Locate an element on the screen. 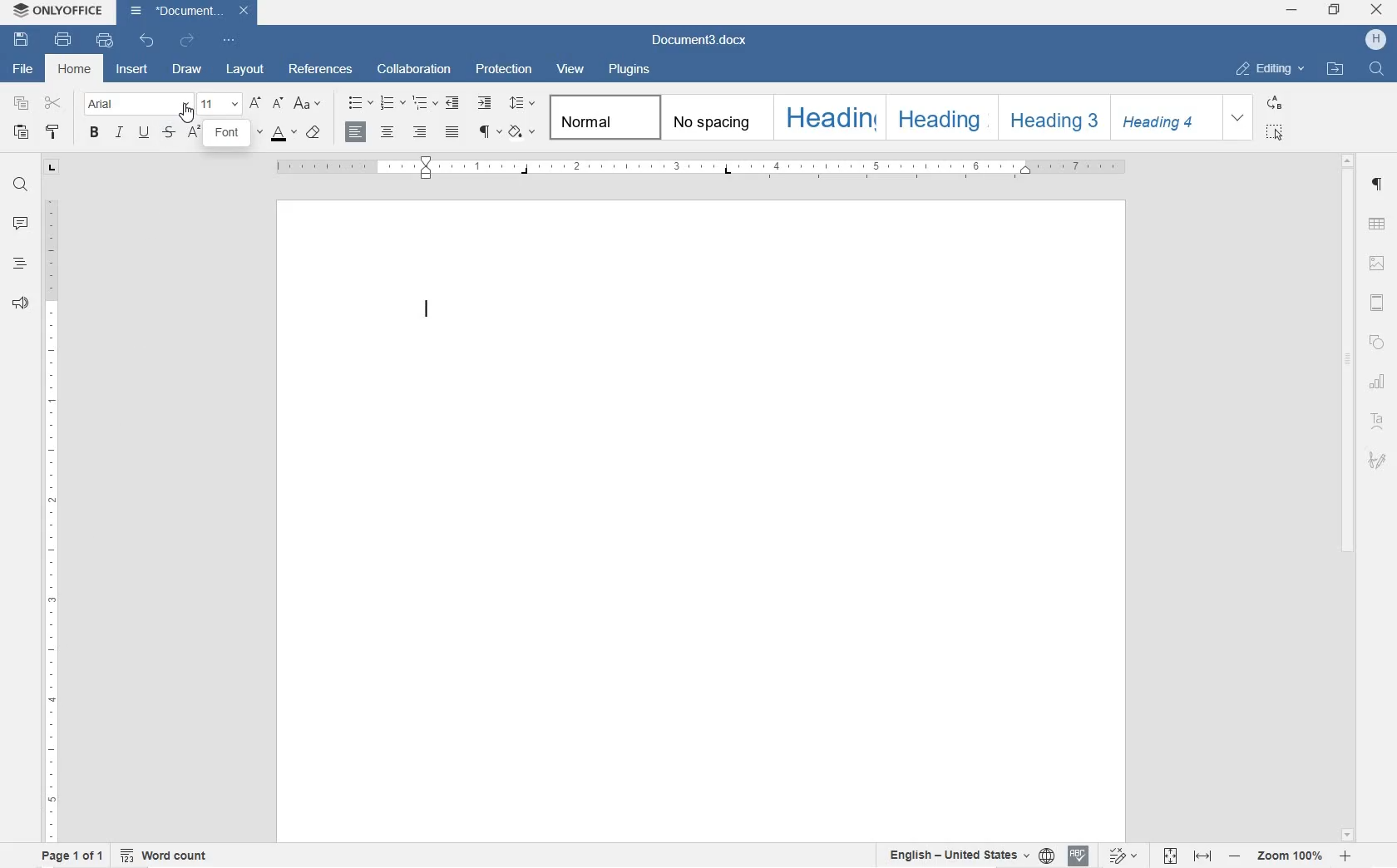 This screenshot has height=868, width=1397. EDITOR is located at coordinates (436, 311).